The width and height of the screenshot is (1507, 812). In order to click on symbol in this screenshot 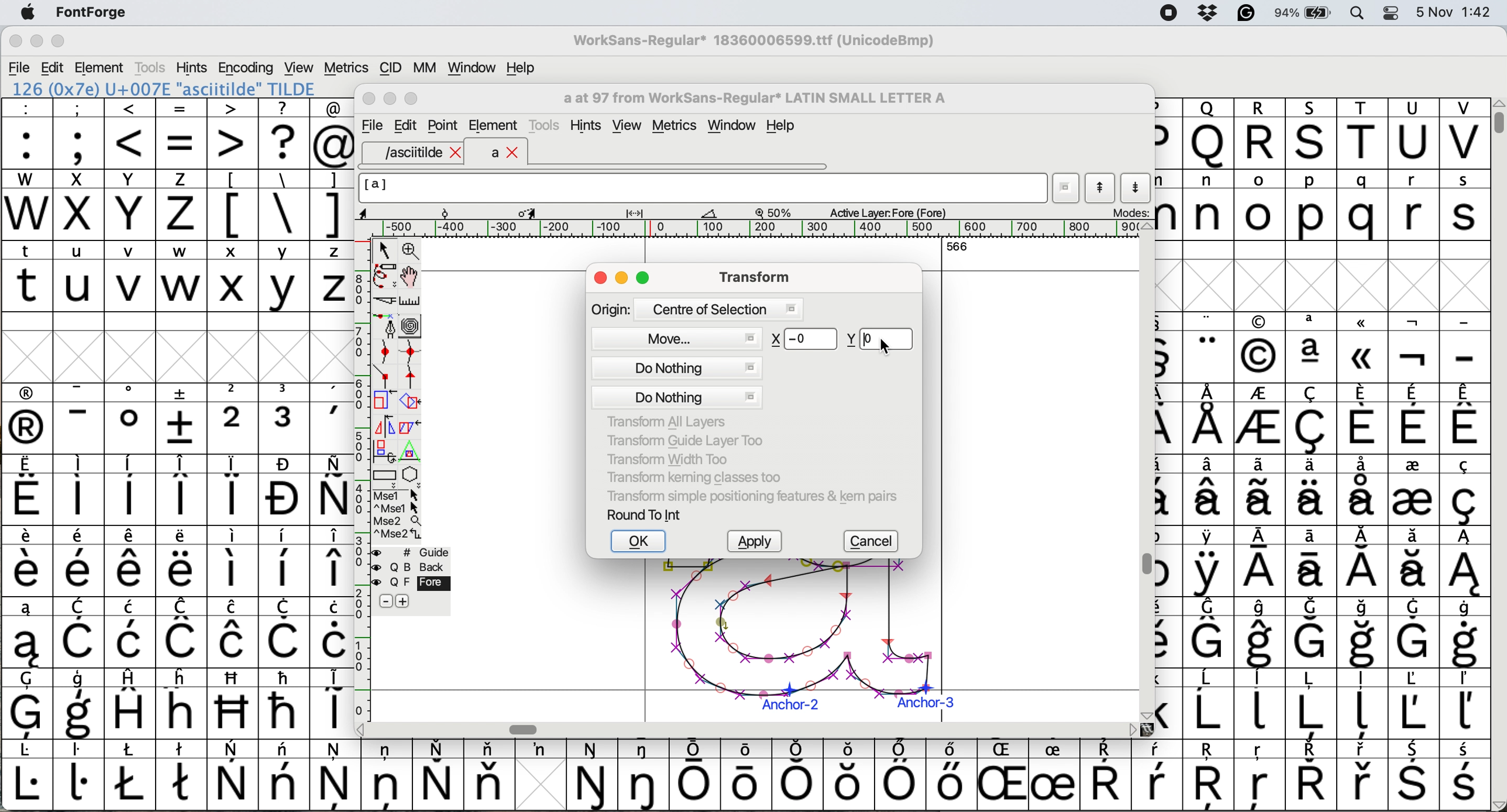, I will do `click(234, 776)`.